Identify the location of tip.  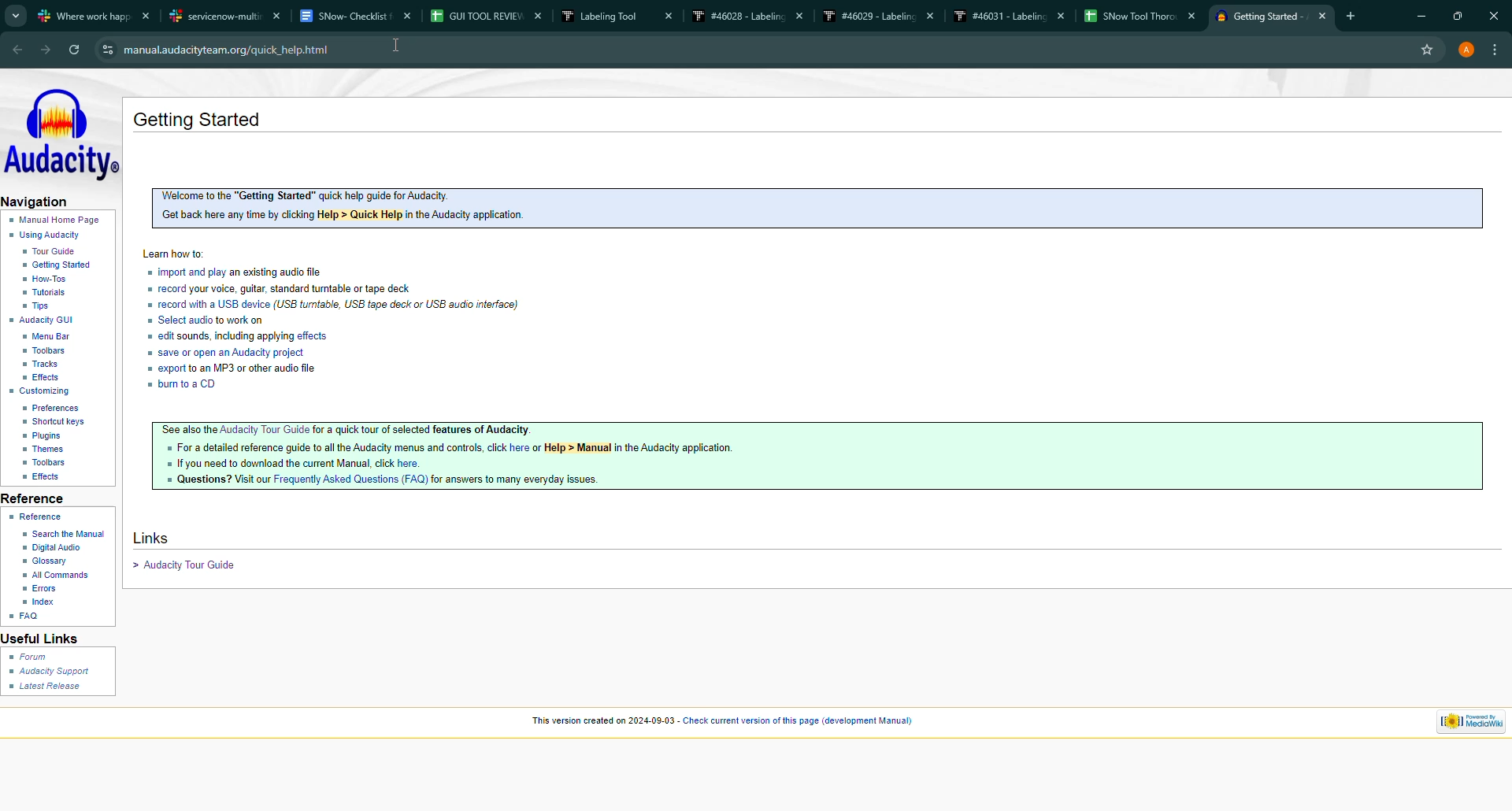
(39, 307).